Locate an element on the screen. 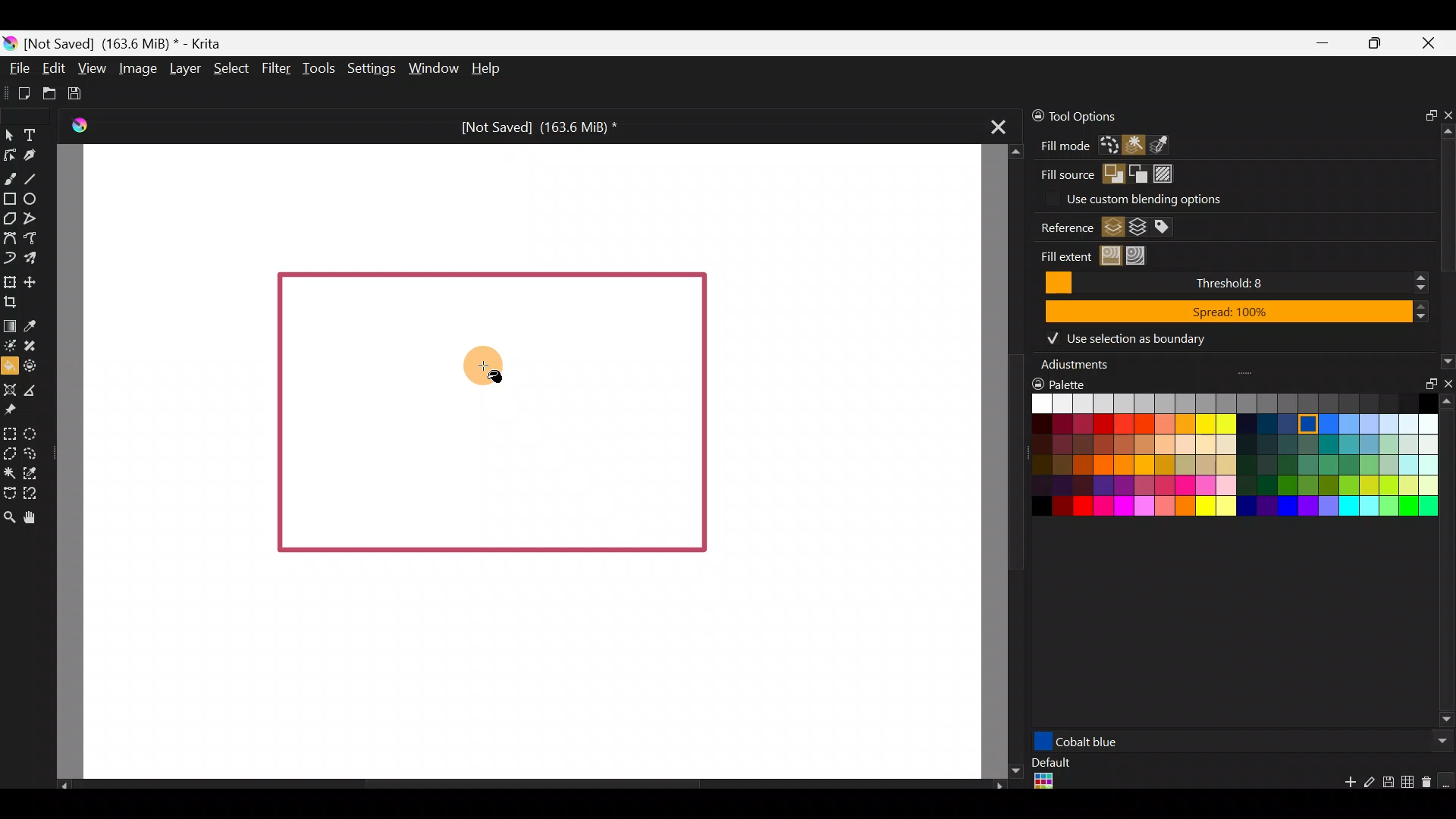 This screenshot has height=819, width=1456. Scroll bar is located at coordinates (1447, 563).